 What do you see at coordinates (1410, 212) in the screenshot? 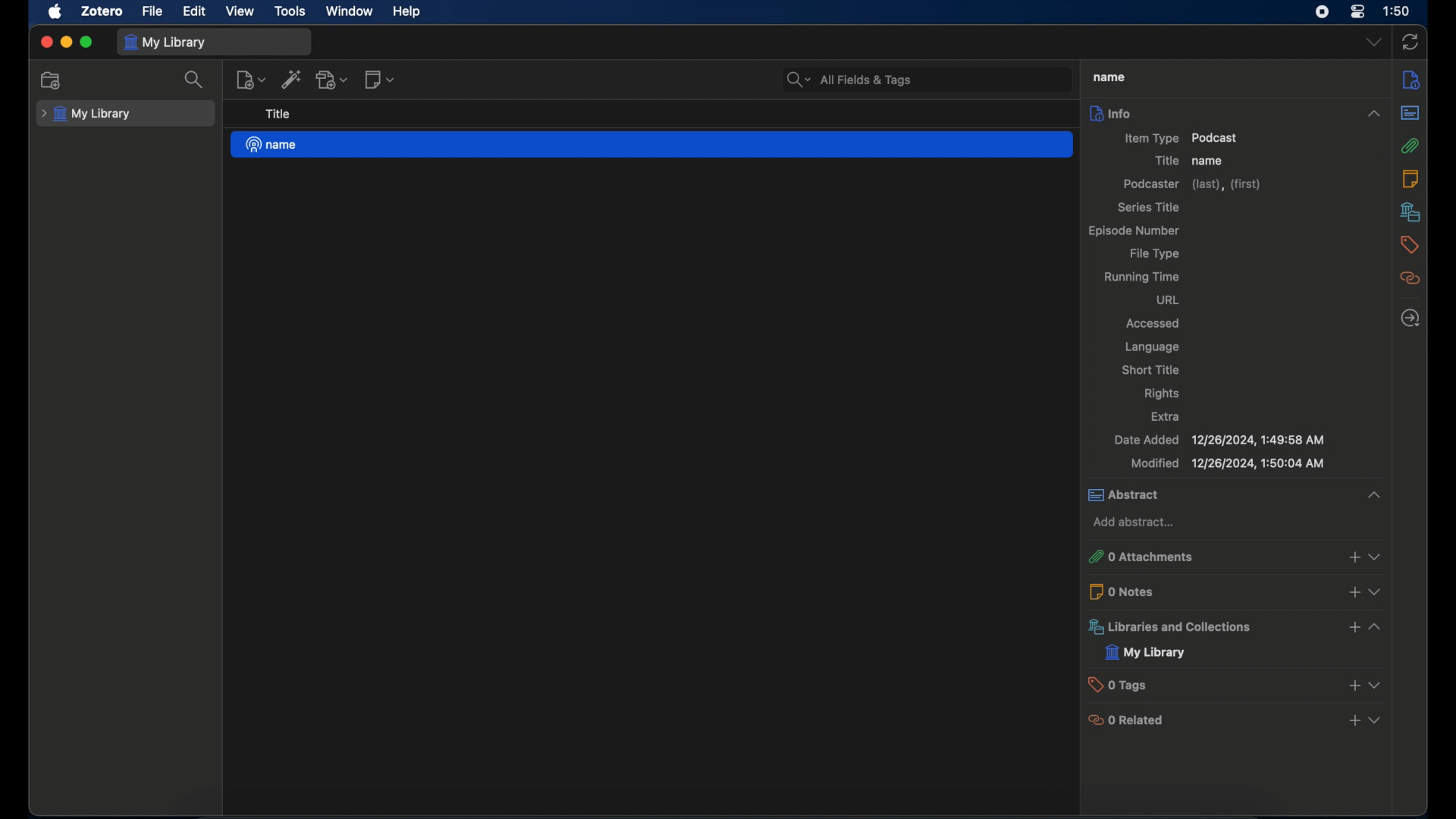
I see `libraries` at bounding box center [1410, 212].